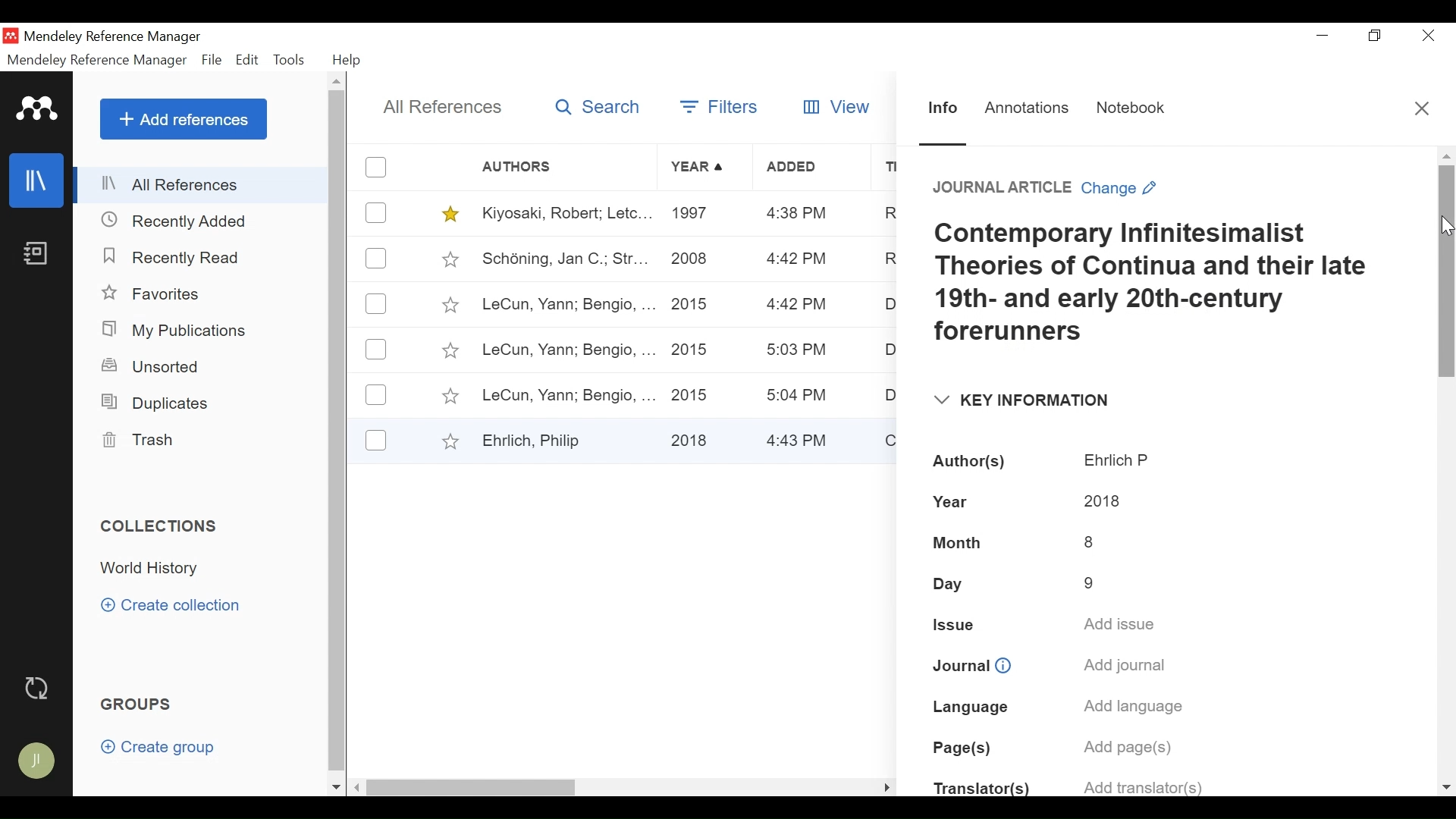 The image size is (1456, 819). Describe the element at coordinates (1133, 748) in the screenshot. I see `Add page(s)` at that location.